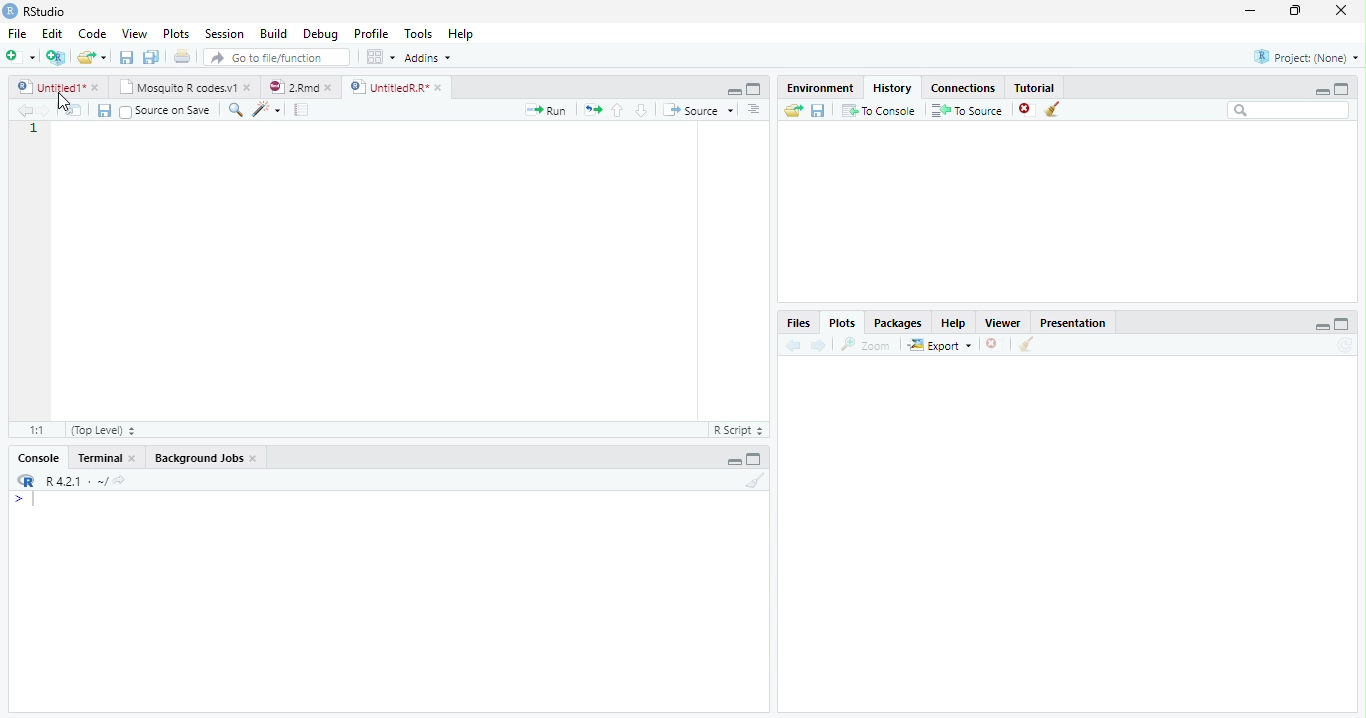 Image resolution: width=1366 pixels, height=718 pixels. What do you see at coordinates (236, 109) in the screenshot?
I see `Find/Replace` at bounding box center [236, 109].